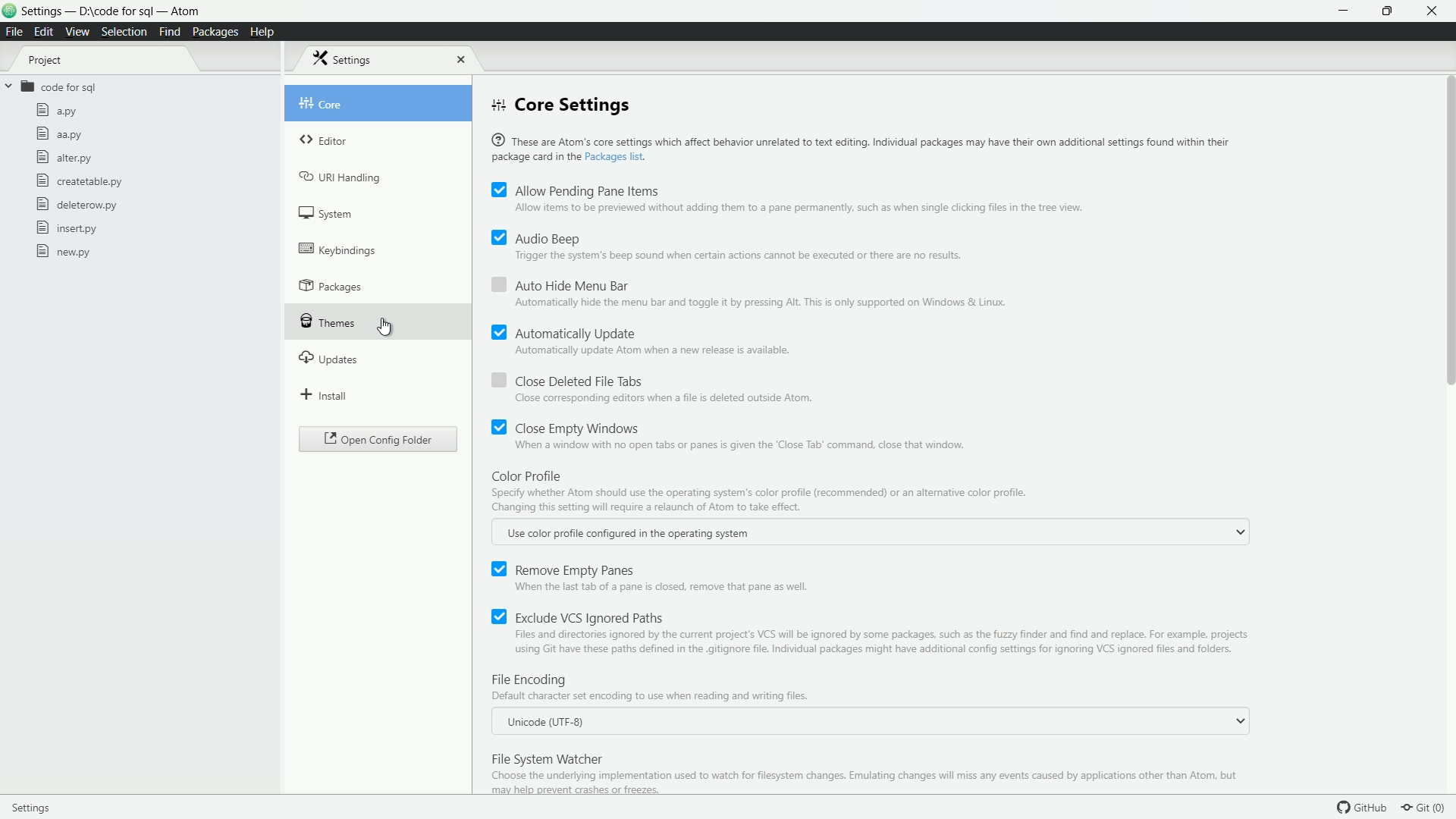 The width and height of the screenshot is (1456, 819). What do you see at coordinates (527, 475) in the screenshot?
I see `color profile` at bounding box center [527, 475].